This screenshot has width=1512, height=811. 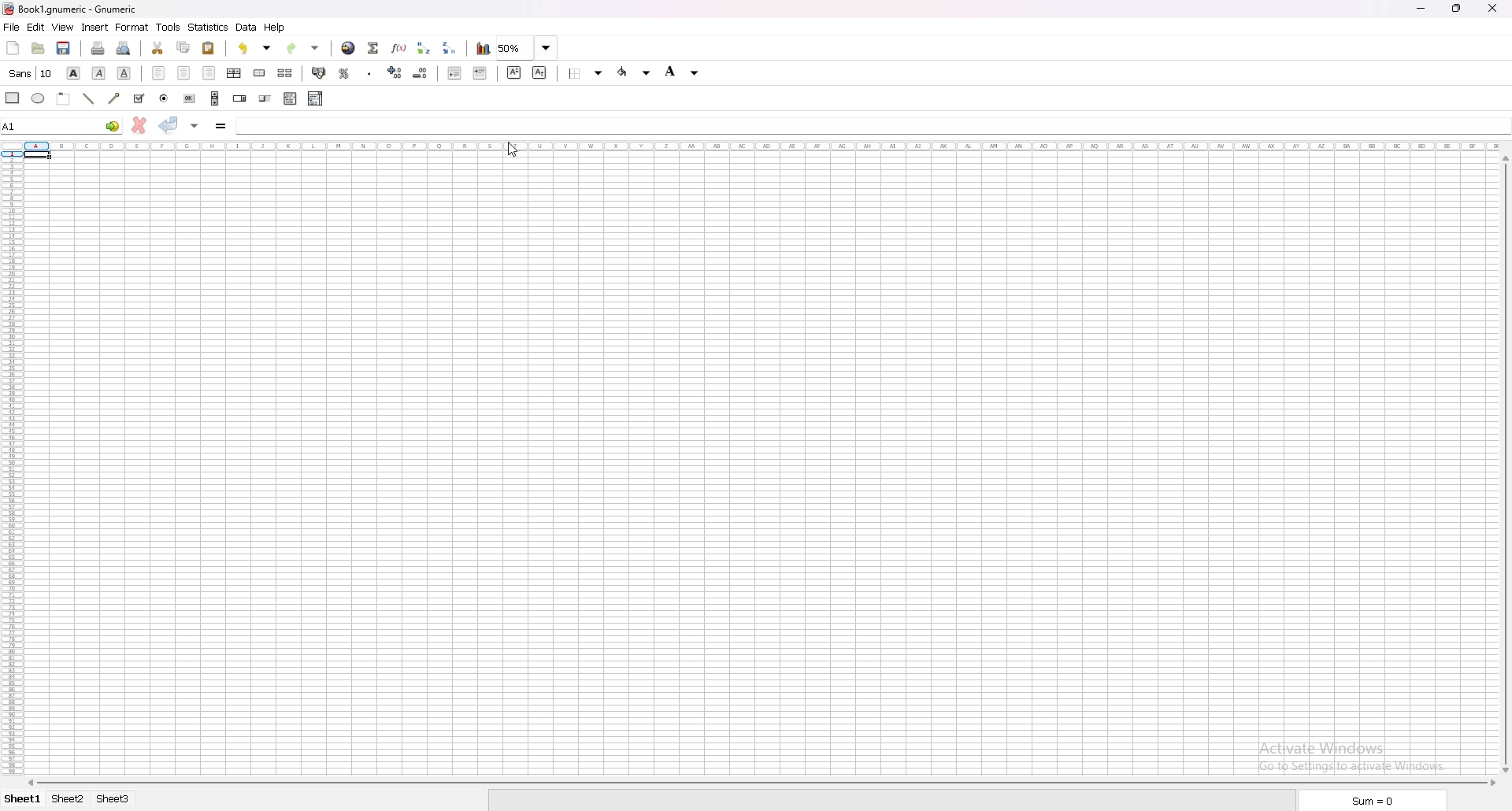 I want to click on arrow line, so click(x=114, y=98).